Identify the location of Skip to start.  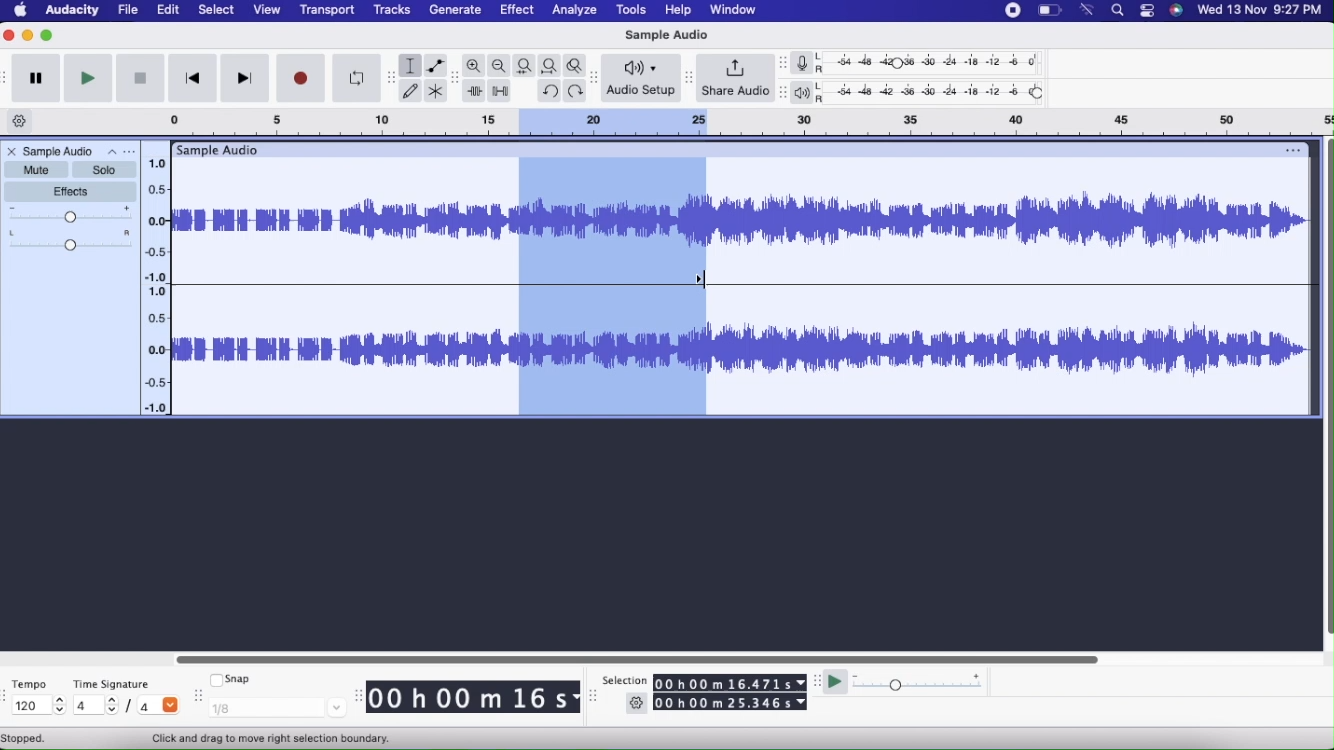
(191, 80).